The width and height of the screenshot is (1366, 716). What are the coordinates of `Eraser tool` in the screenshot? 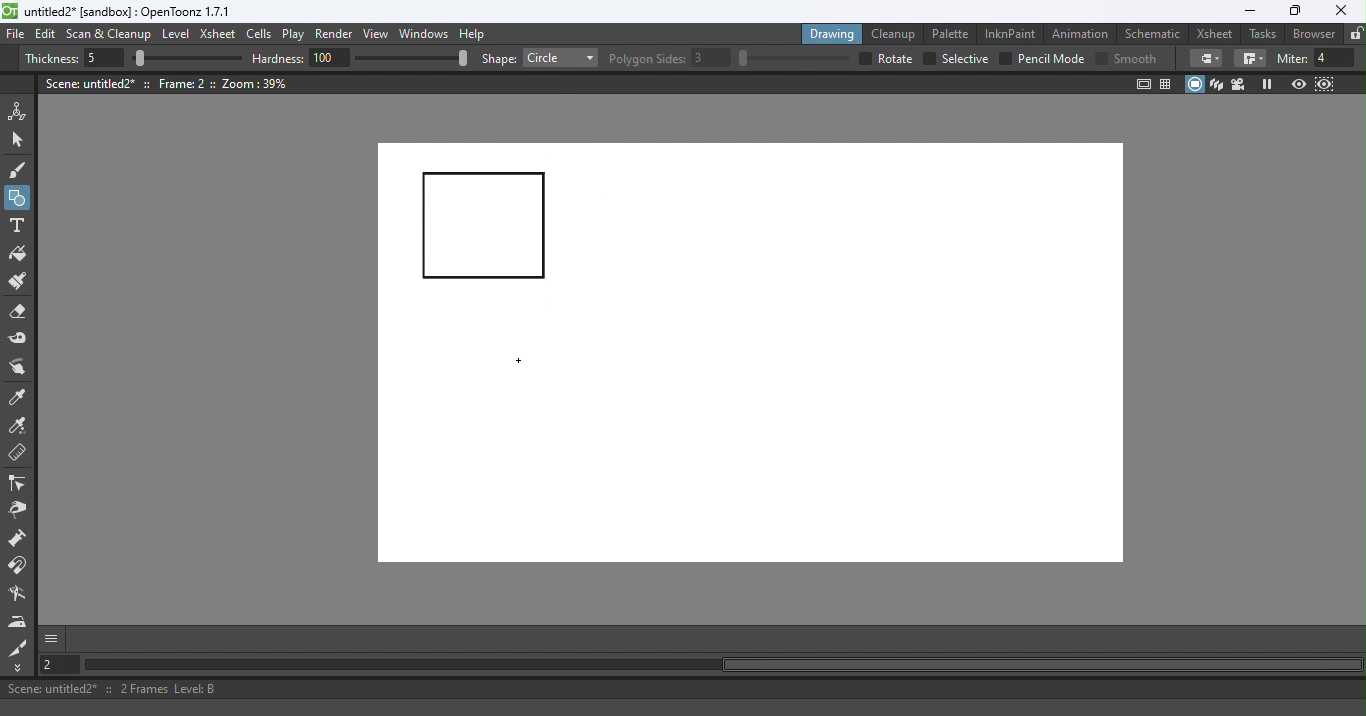 It's located at (23, 312).